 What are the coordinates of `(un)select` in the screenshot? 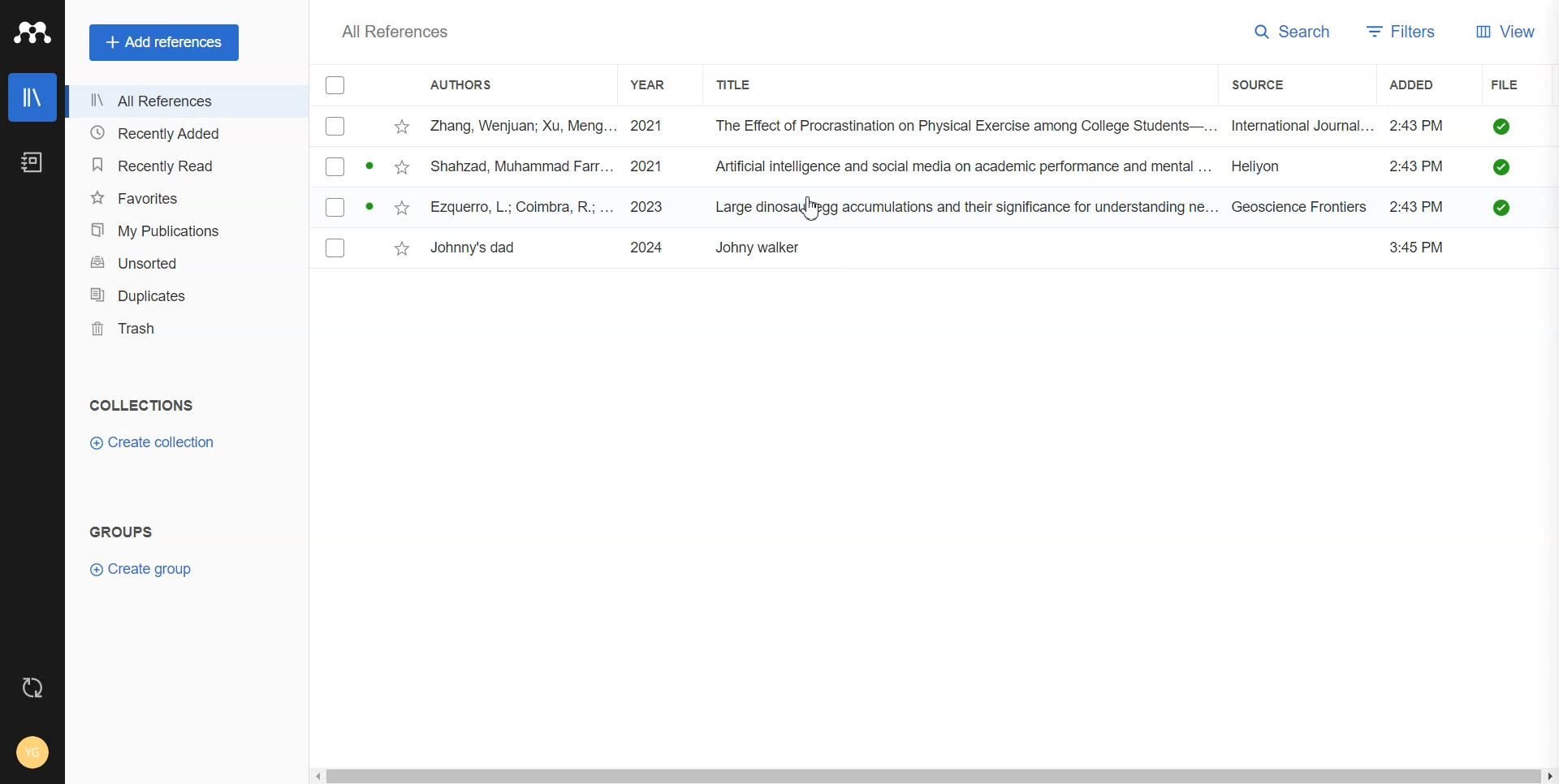 It's located at (335, 248).